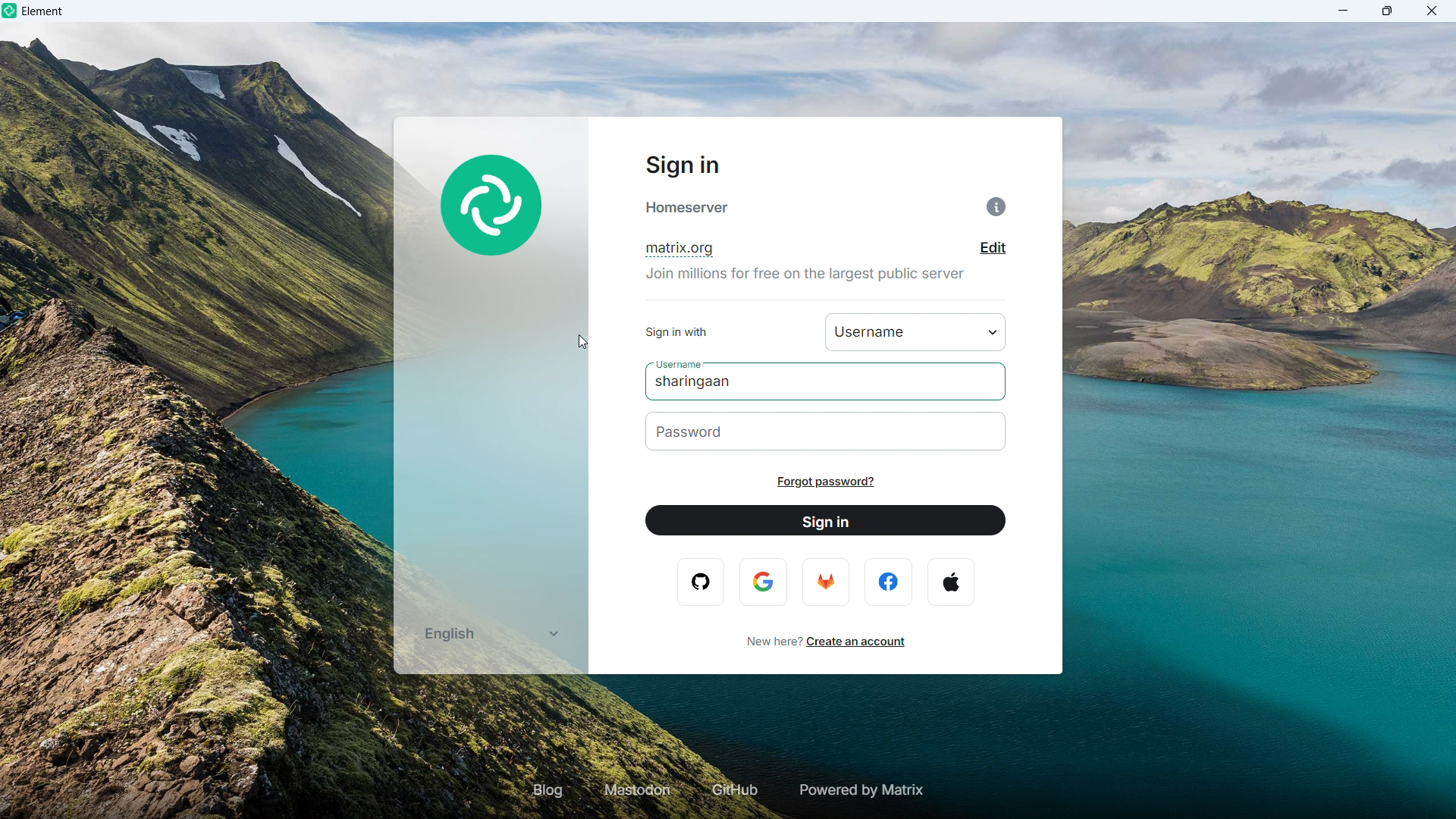  Describe the element at coordinates (698, 383) in the screenshot. I see `Username typed in ` at that location.